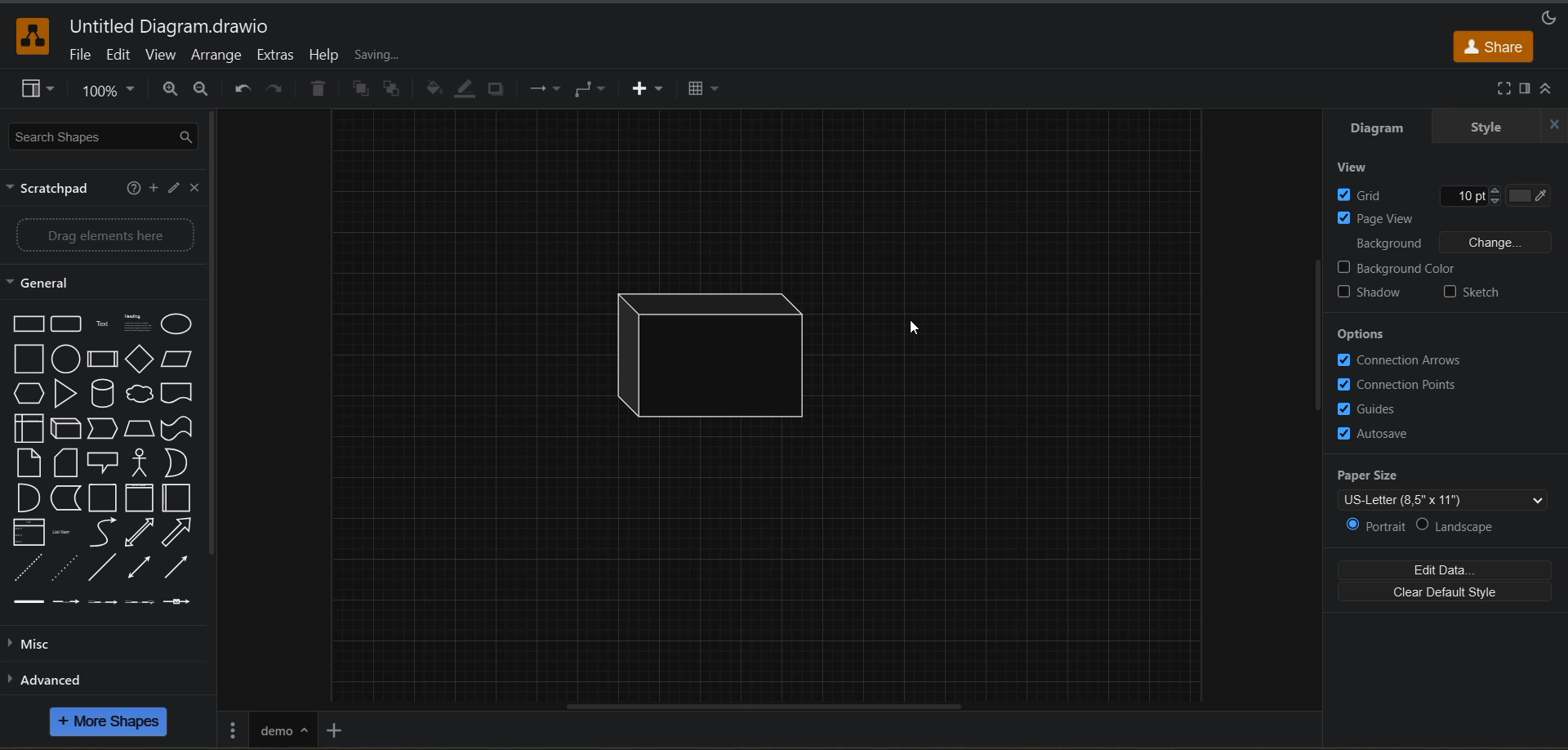  I want to click on fullscreen, so click(1504, 89).